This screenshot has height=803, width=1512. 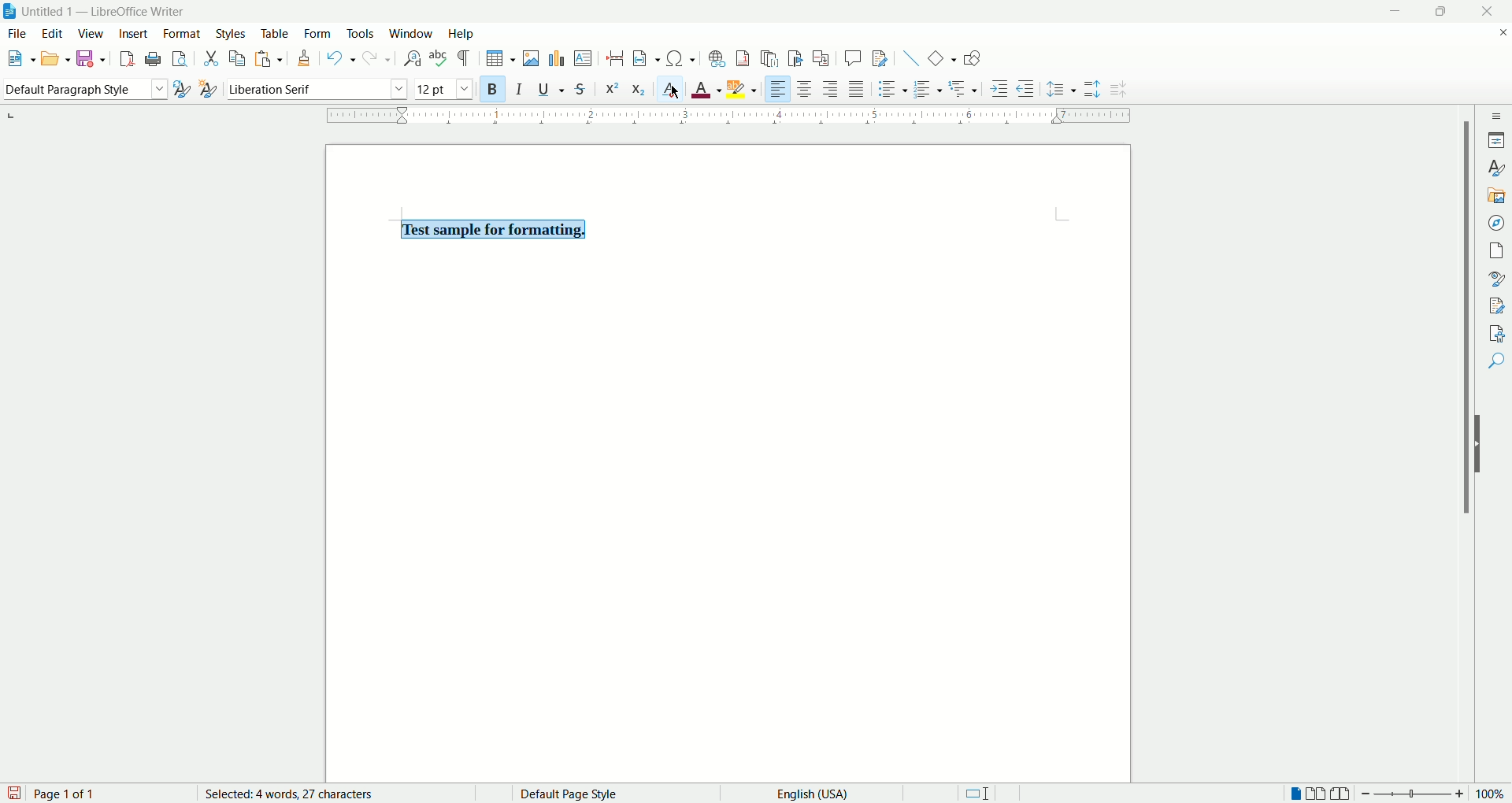 I want to click on insert table, so click(x=497, y=59).